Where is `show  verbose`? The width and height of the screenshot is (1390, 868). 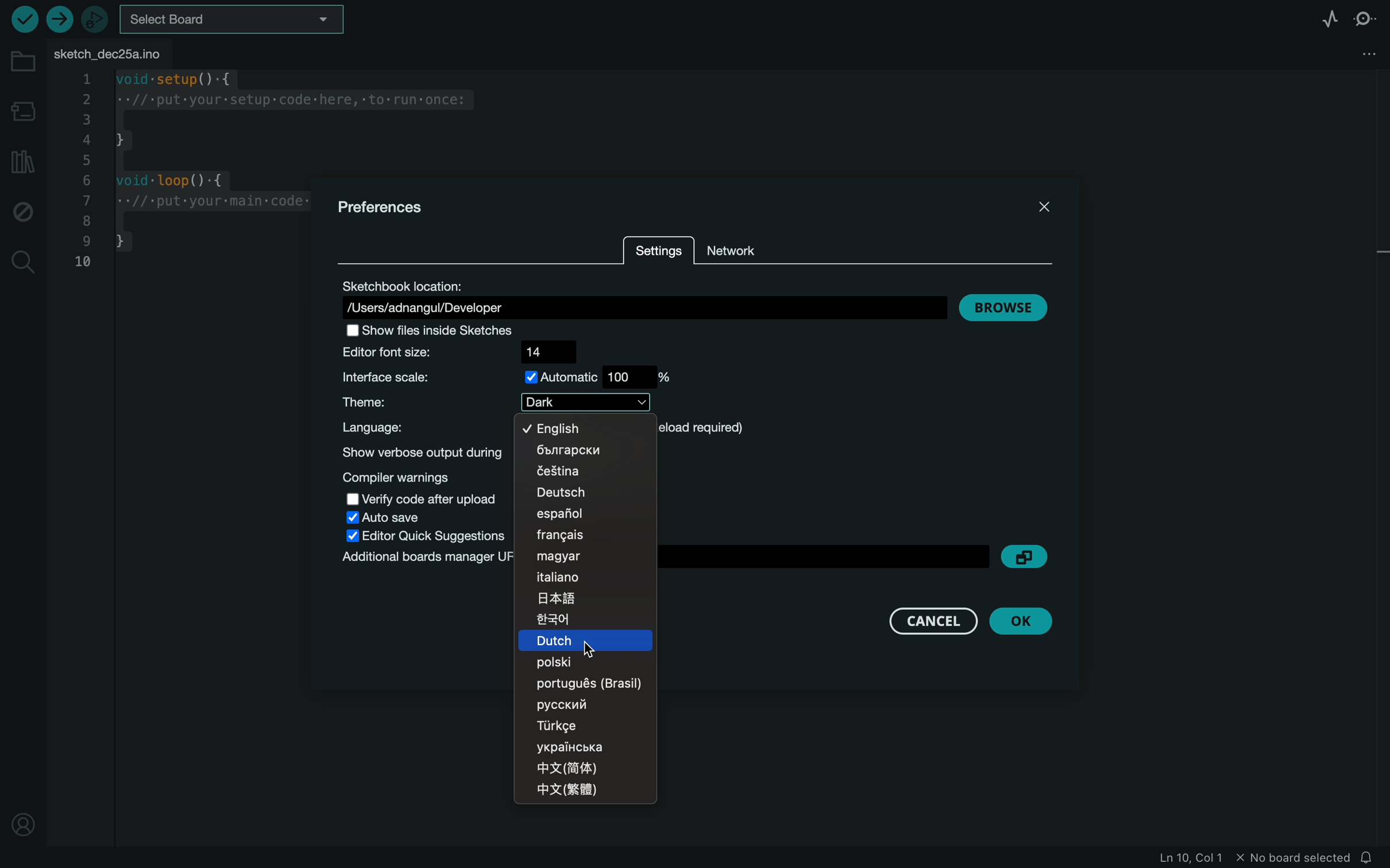 show  verbose is located at coordinates (420, 452).